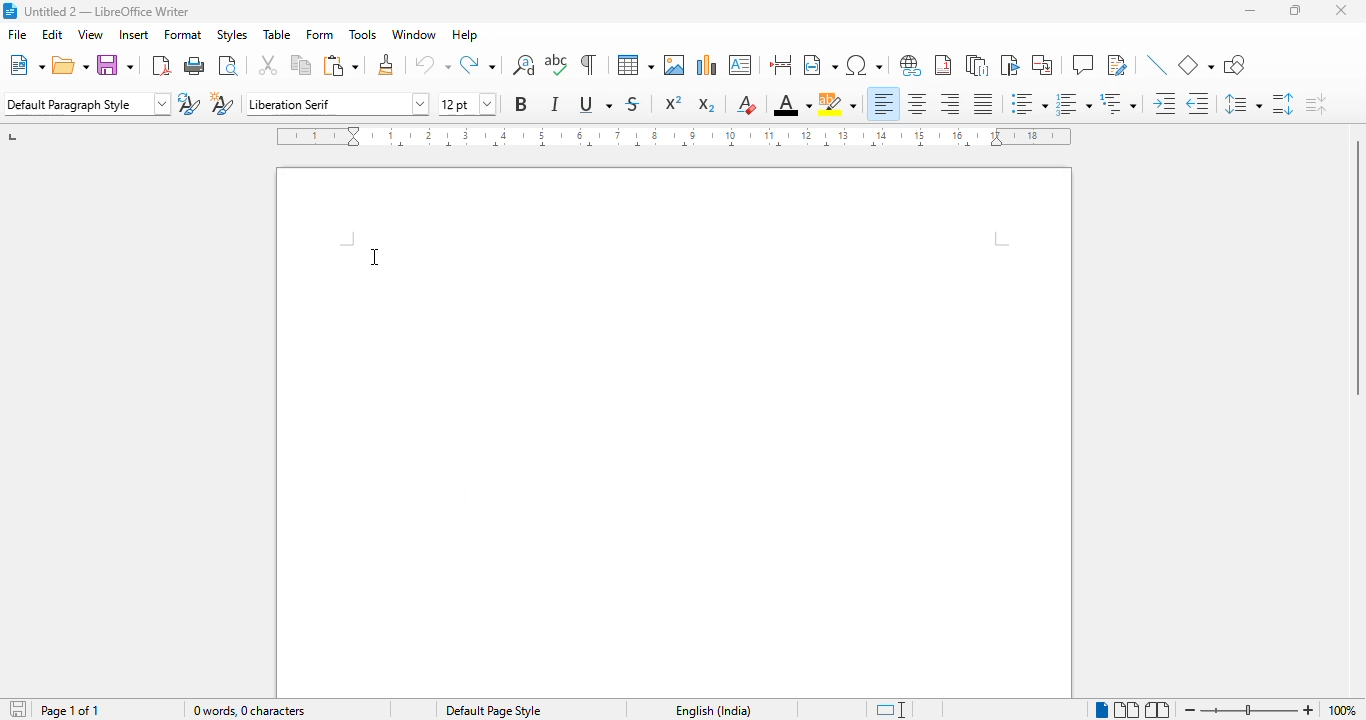 The width and height of the screenshot is (1366, 720). I want to click on new, so click(25, 64).